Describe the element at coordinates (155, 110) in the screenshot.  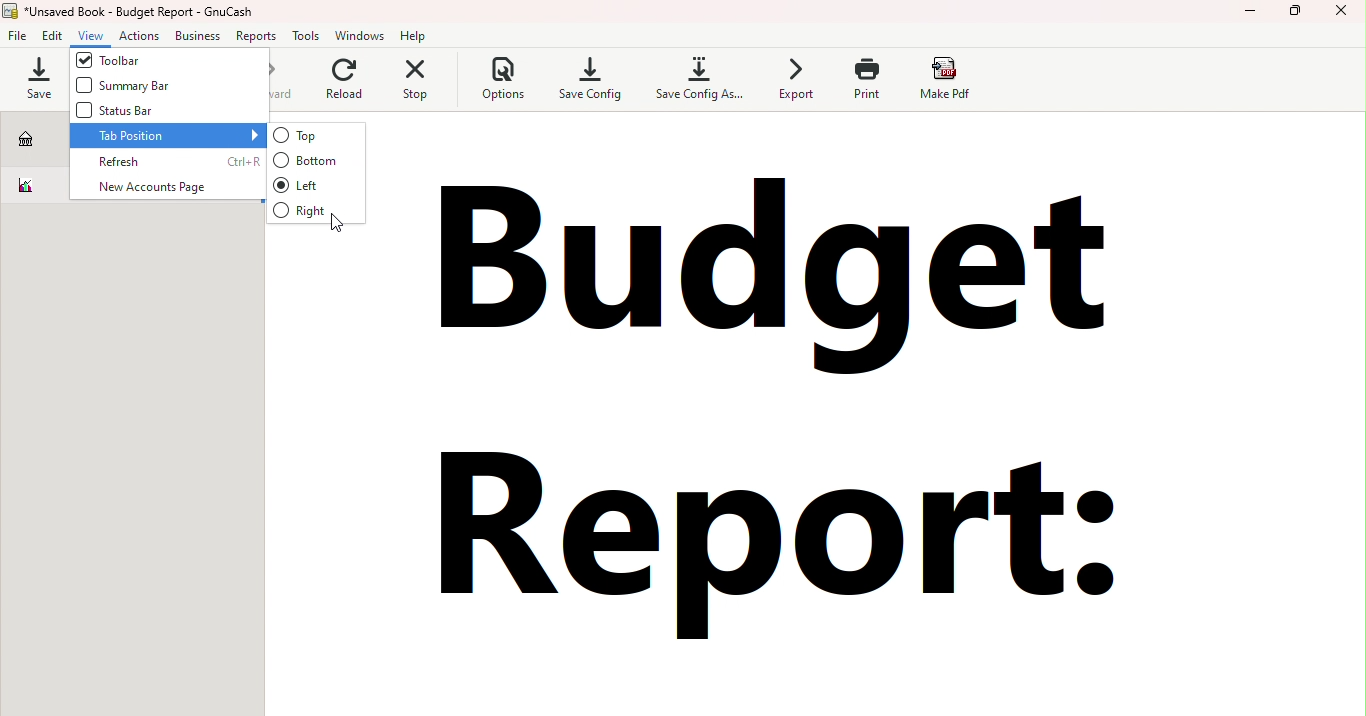
I see `Status Bar` at that location.